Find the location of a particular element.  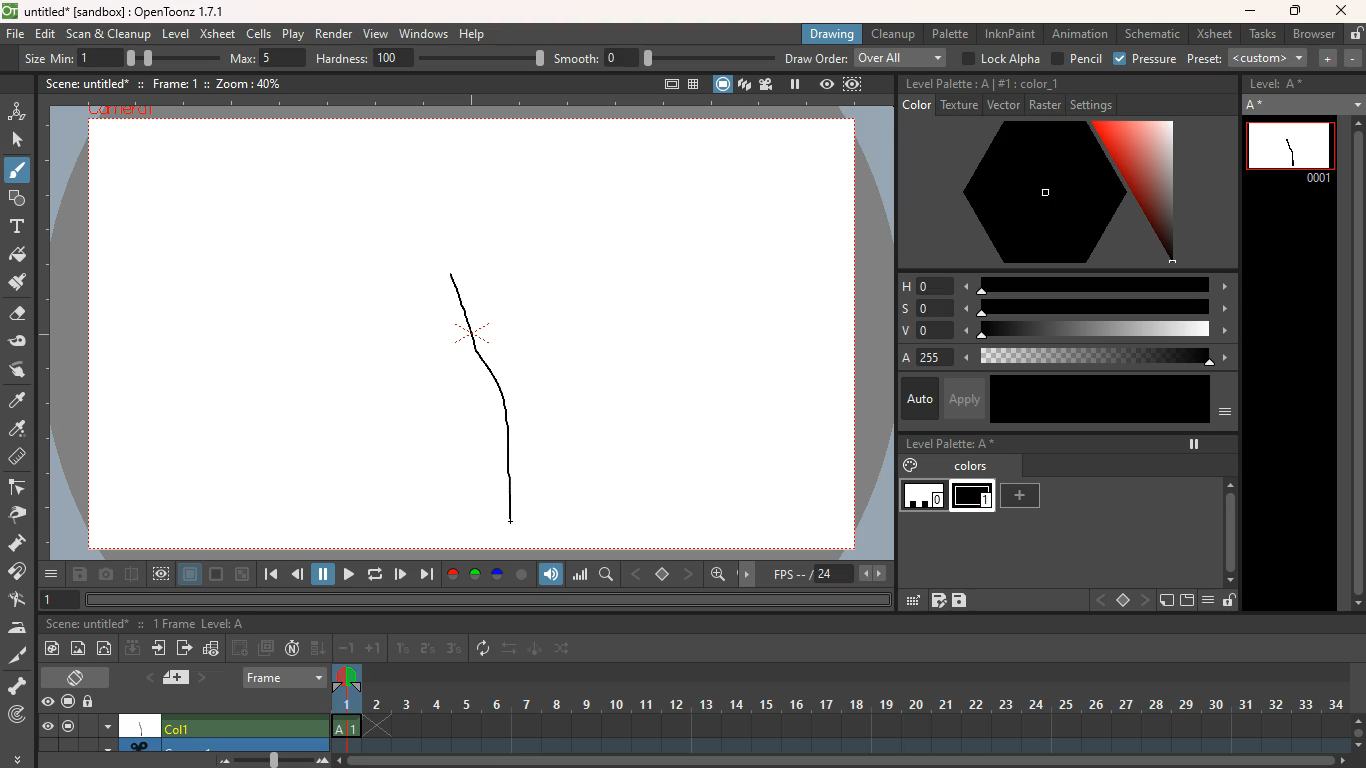

1 is located at coordinates (403, 648).